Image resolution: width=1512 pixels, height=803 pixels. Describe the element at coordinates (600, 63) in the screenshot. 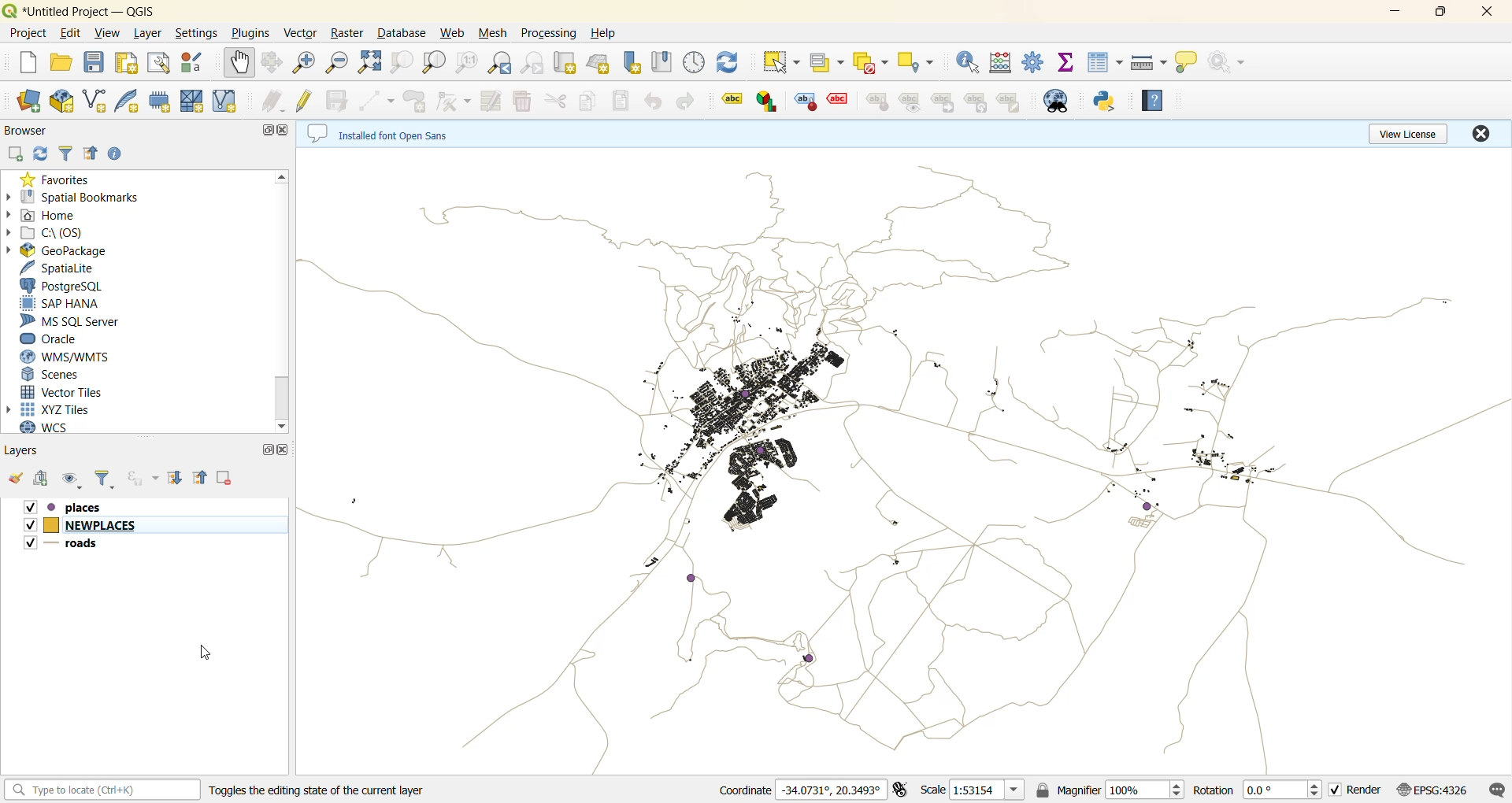

I see `new 3d map` at that location.